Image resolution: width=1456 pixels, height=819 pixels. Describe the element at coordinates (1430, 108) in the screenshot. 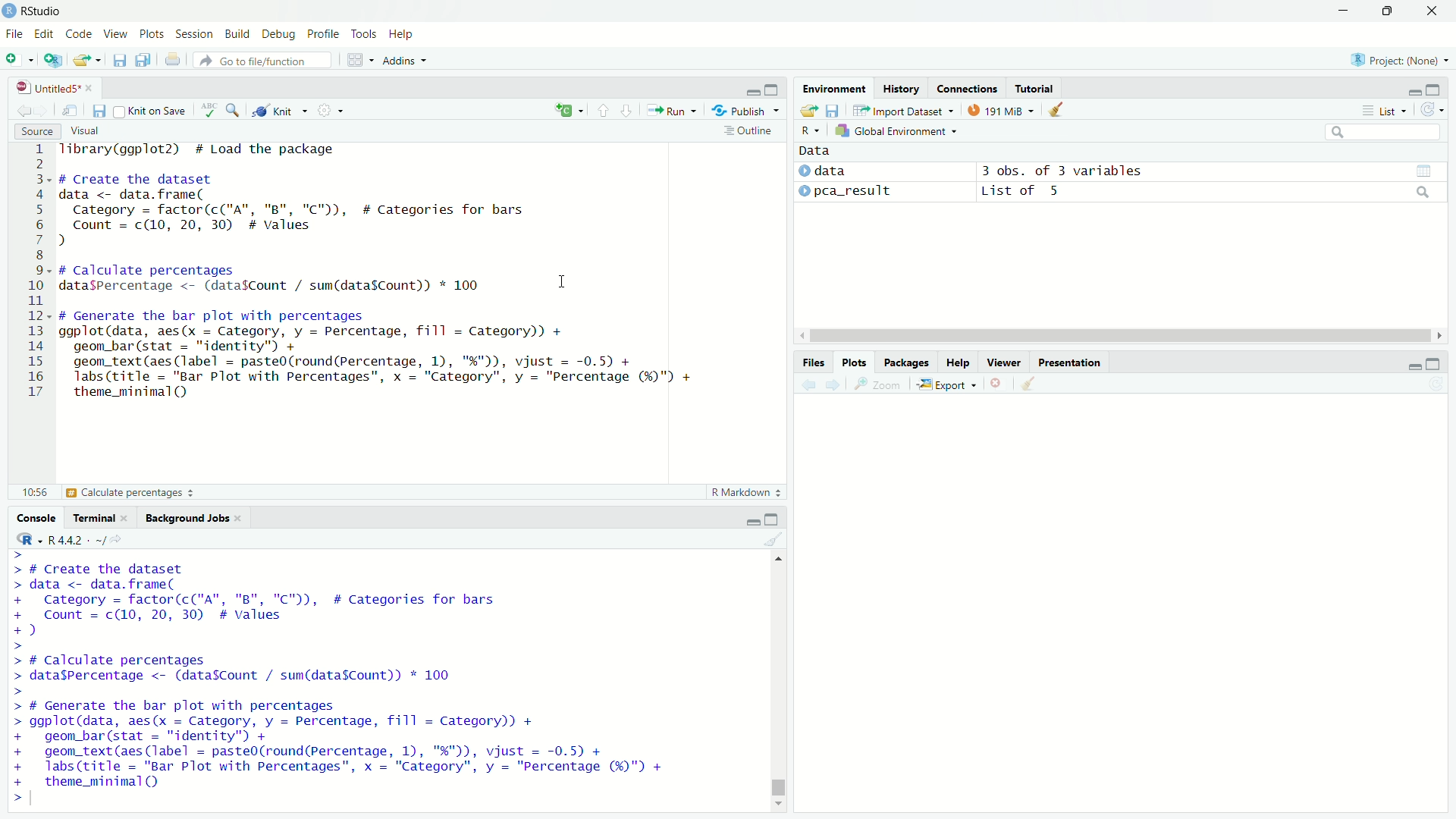

I see `refresh` at that location.